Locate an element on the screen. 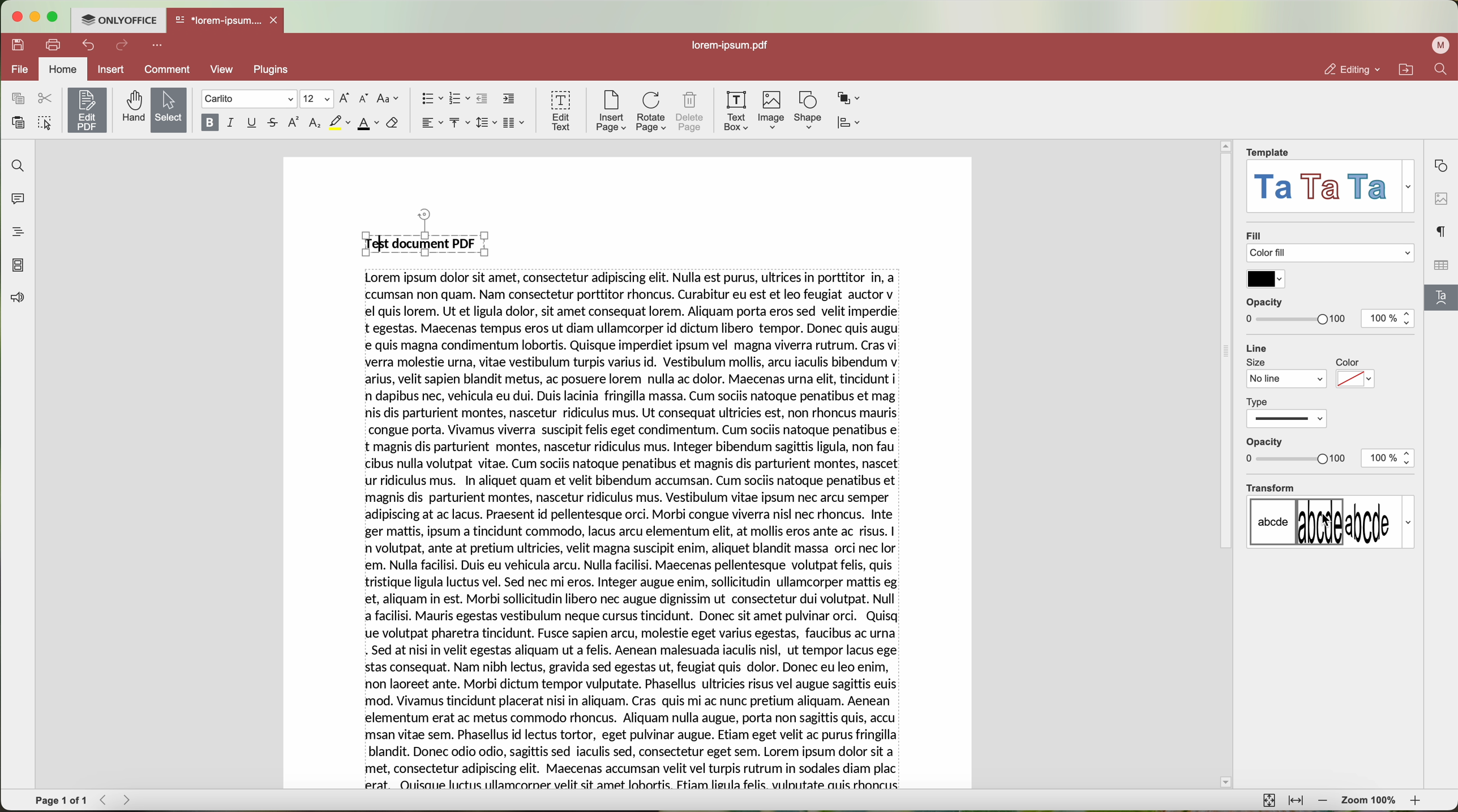 Image resolution: width=1458 pixels, height=812 pixels. 100% is located at coordinates (1388, 459).